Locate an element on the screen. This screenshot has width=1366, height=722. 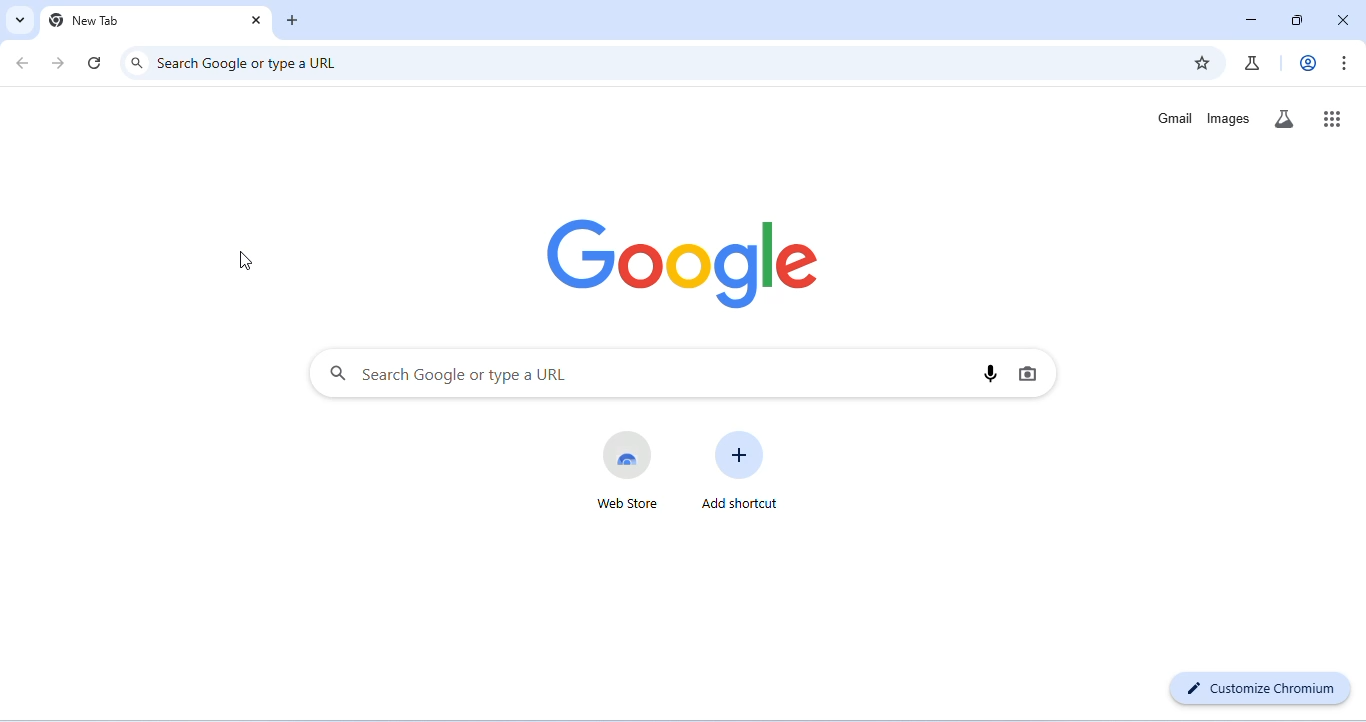
search icon is located at coordinates (137, 62).